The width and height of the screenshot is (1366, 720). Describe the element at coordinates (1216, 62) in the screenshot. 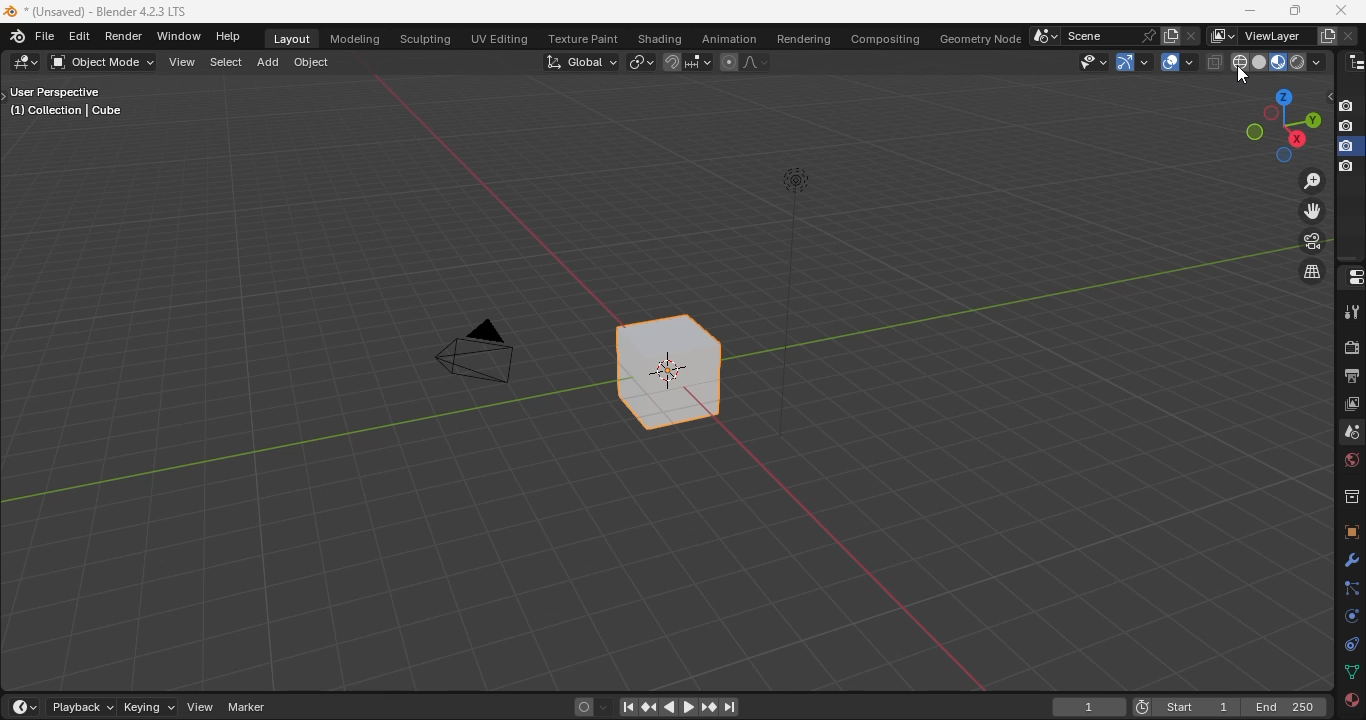

I see `toggle x-ray` at that location.